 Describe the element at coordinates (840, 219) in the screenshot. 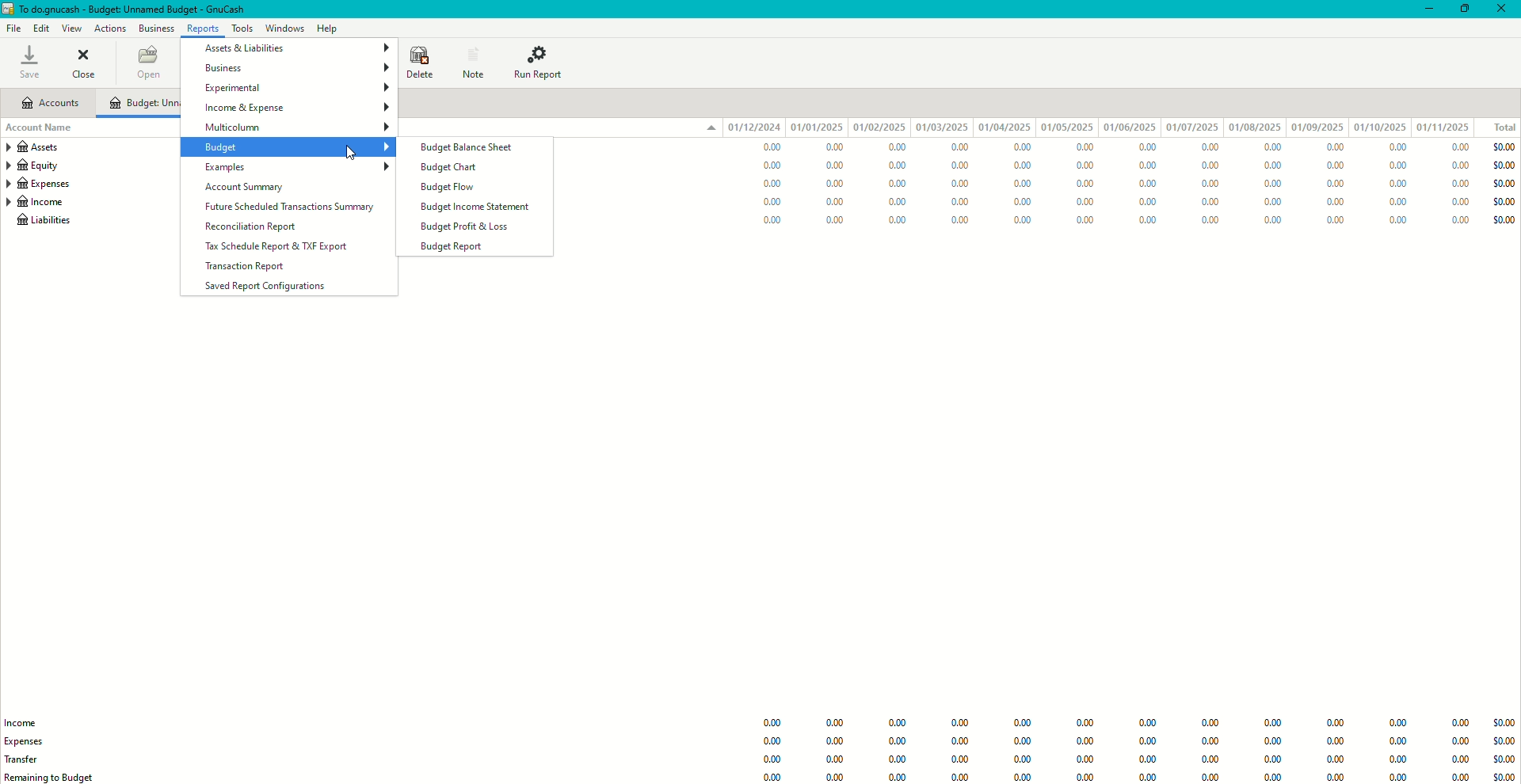

I see `0.00` at that location.